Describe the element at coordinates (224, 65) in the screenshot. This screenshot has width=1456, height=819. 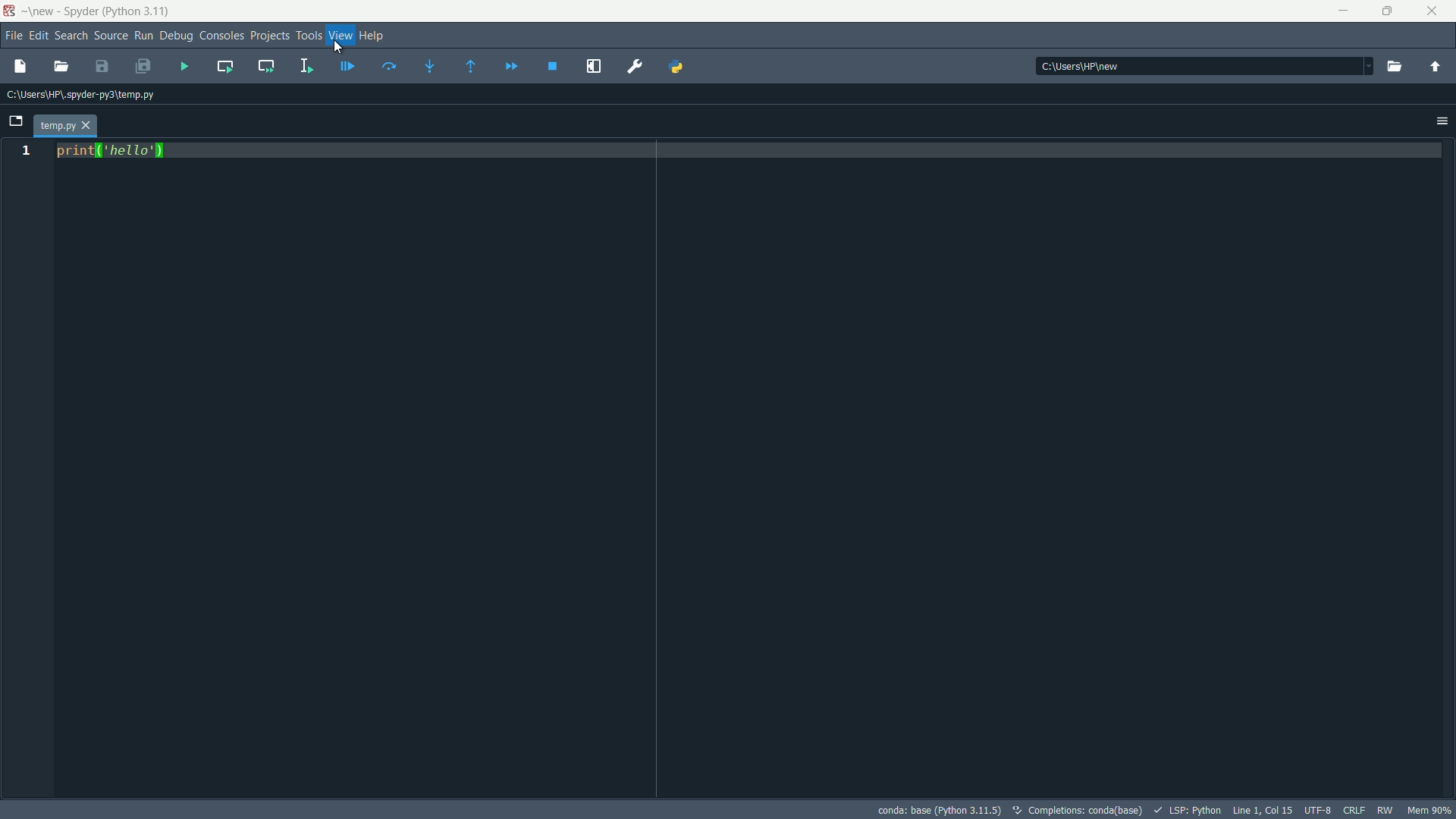
I see `run current cell` at that location.